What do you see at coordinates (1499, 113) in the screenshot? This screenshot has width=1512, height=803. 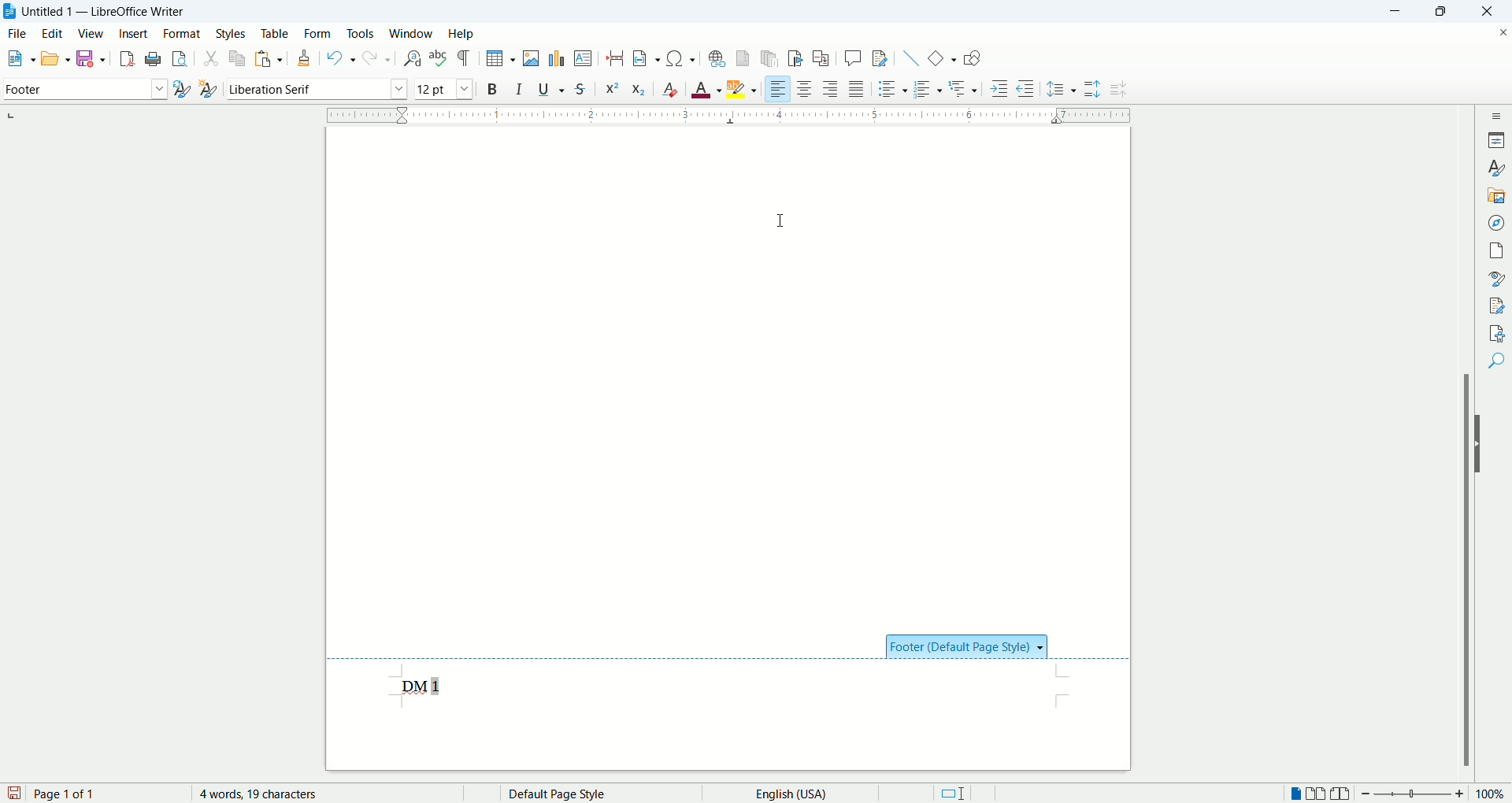 I see `sidebar settings` at bounding box center [1499, 113].